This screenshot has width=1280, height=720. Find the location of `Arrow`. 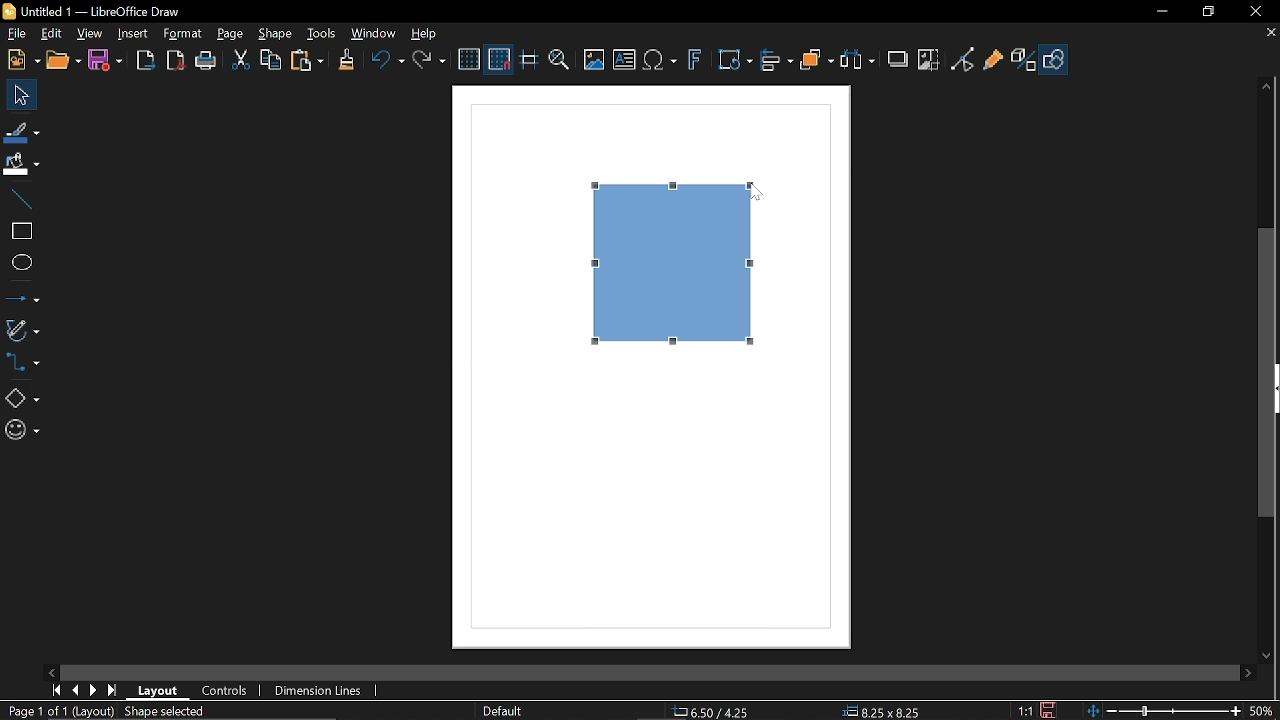

Arrow is located at coordinates (22, 296).